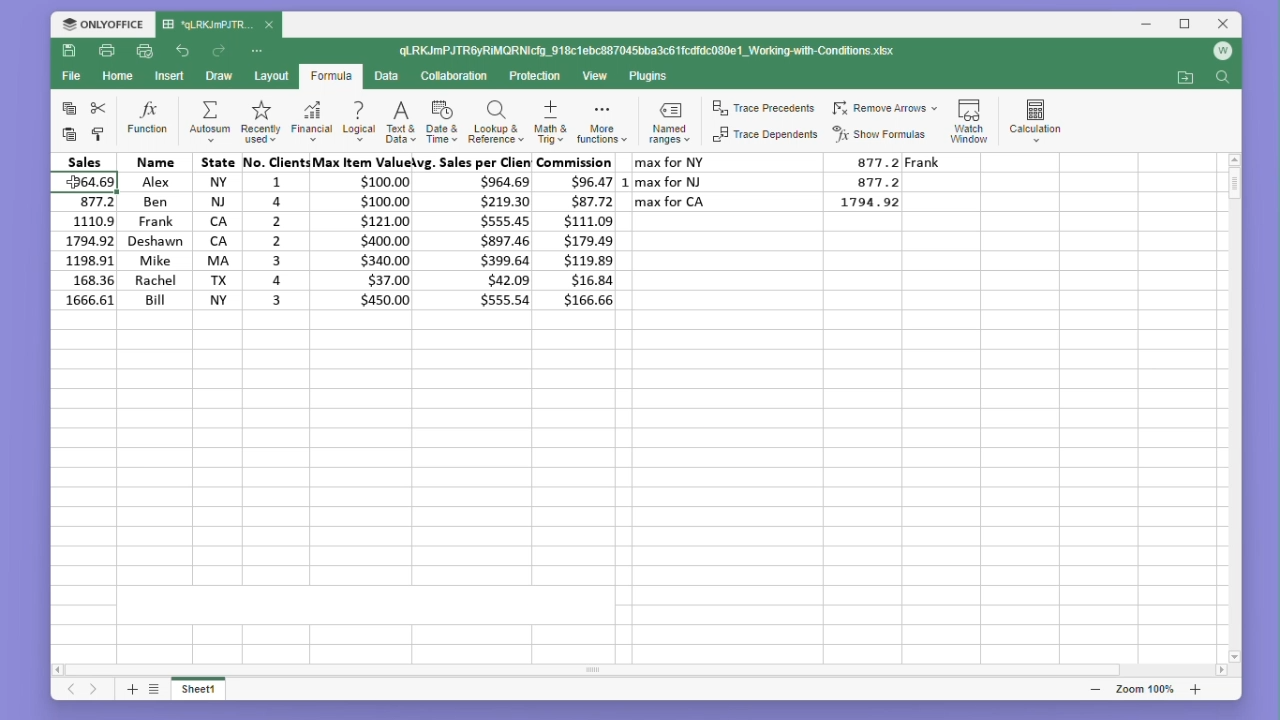  I want to click on zoom out, so click(1097, 690).